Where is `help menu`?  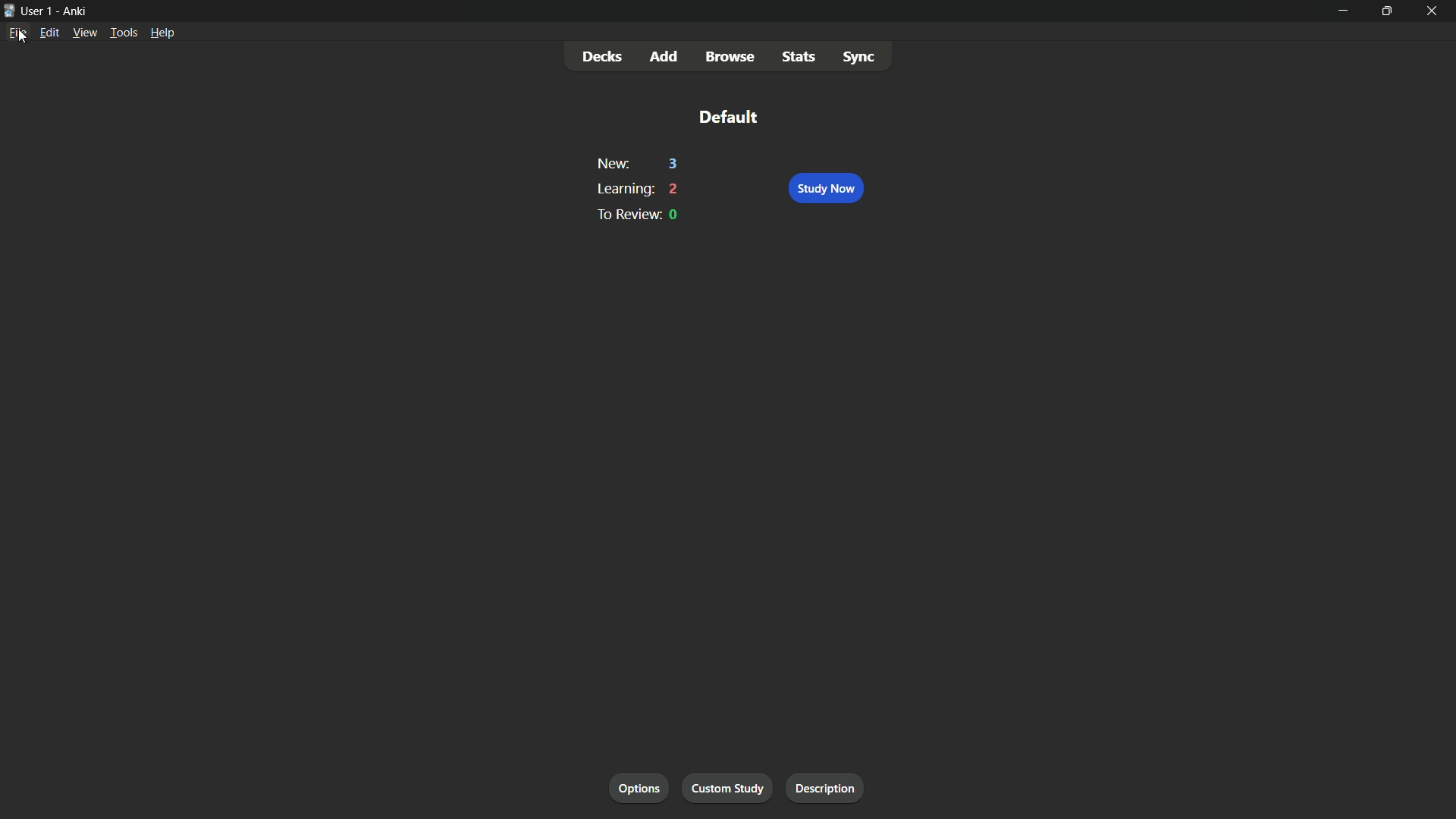
help menu is located at coordinates (162, 32).